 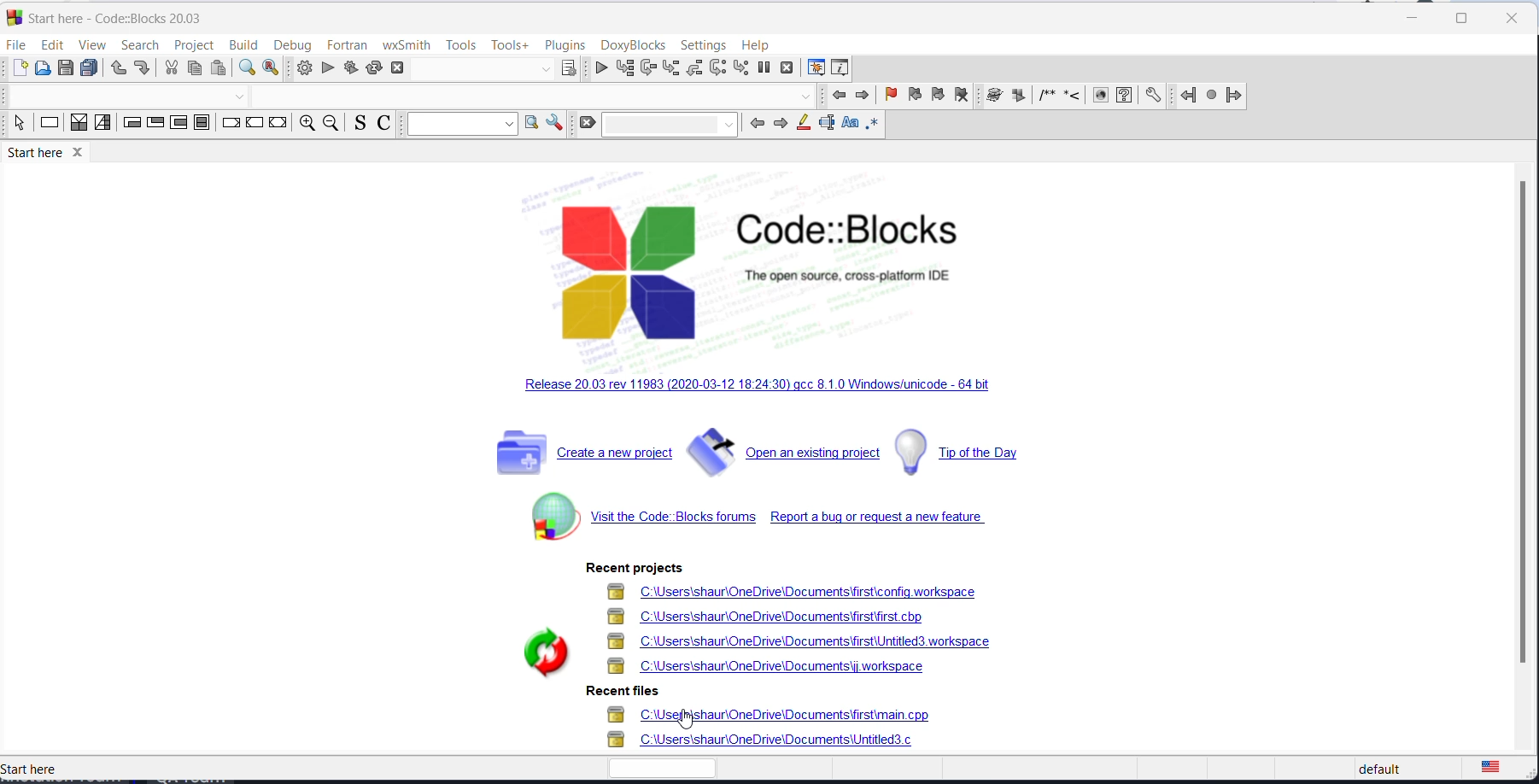 I want to click on scrollbar, so click(x=1524, y=430).